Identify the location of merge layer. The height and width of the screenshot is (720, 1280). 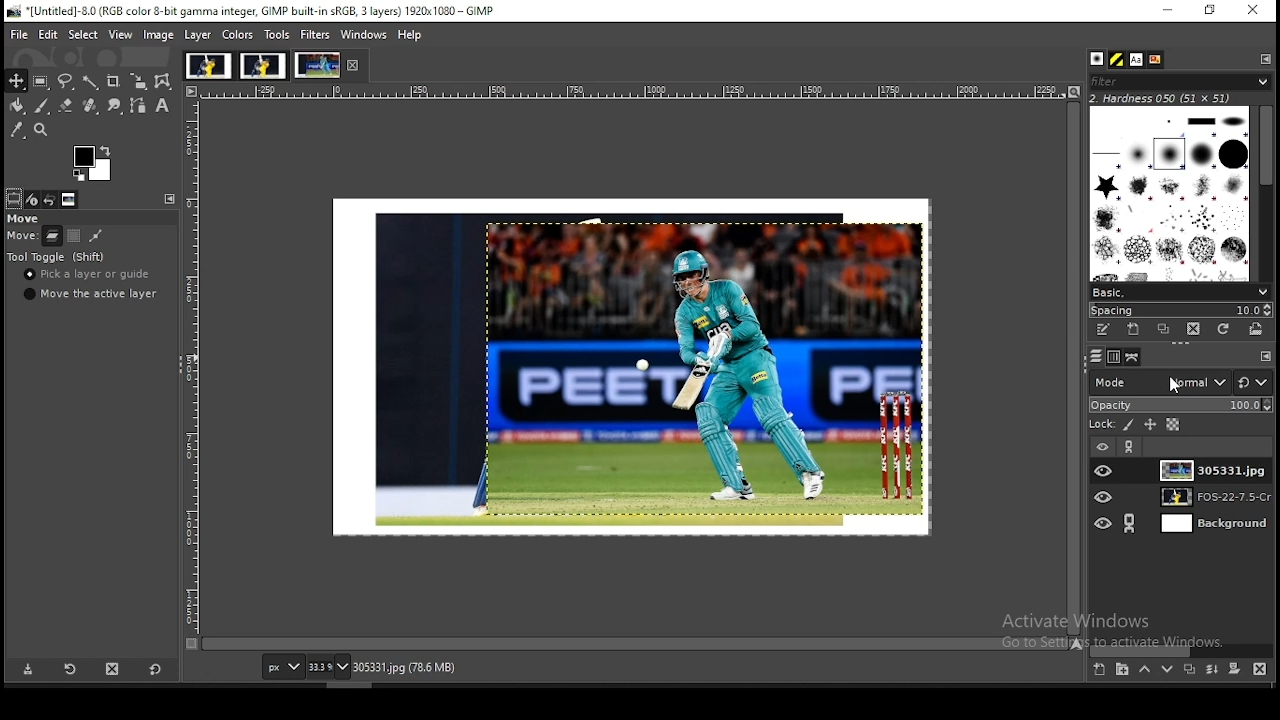
(1213, 669).